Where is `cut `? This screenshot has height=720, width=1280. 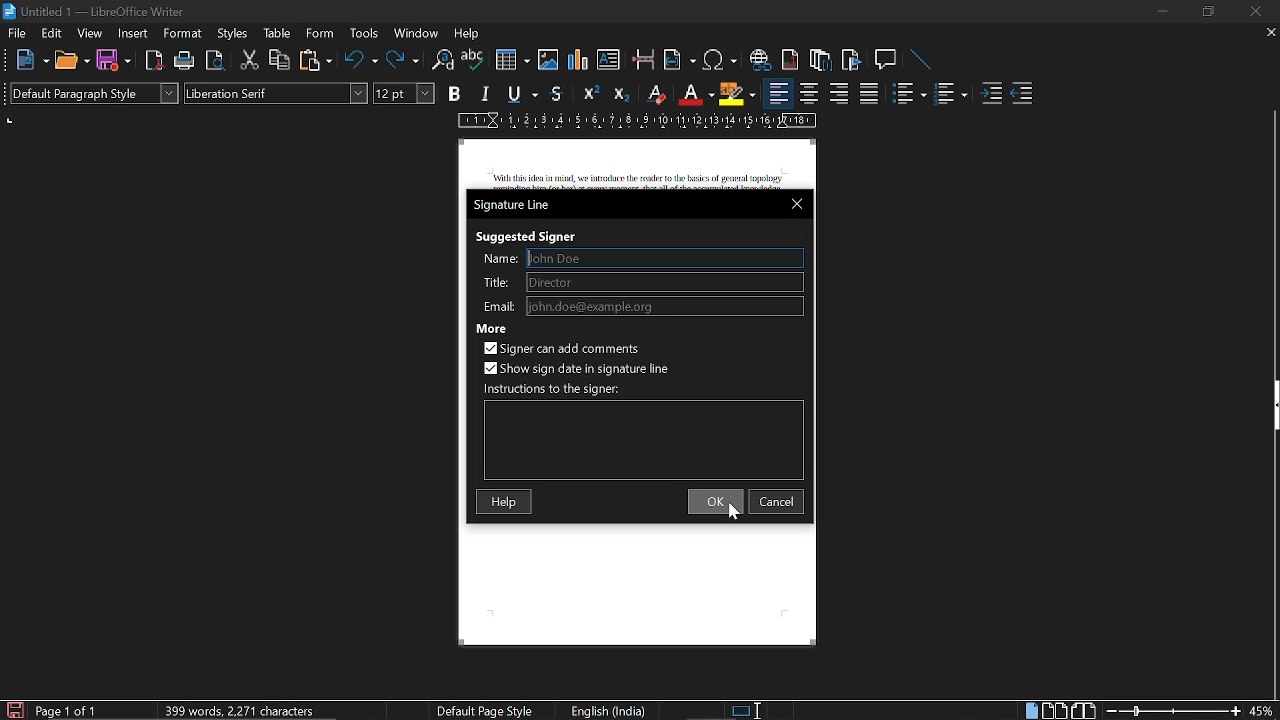
cut  is located at coordinates (250, 61).